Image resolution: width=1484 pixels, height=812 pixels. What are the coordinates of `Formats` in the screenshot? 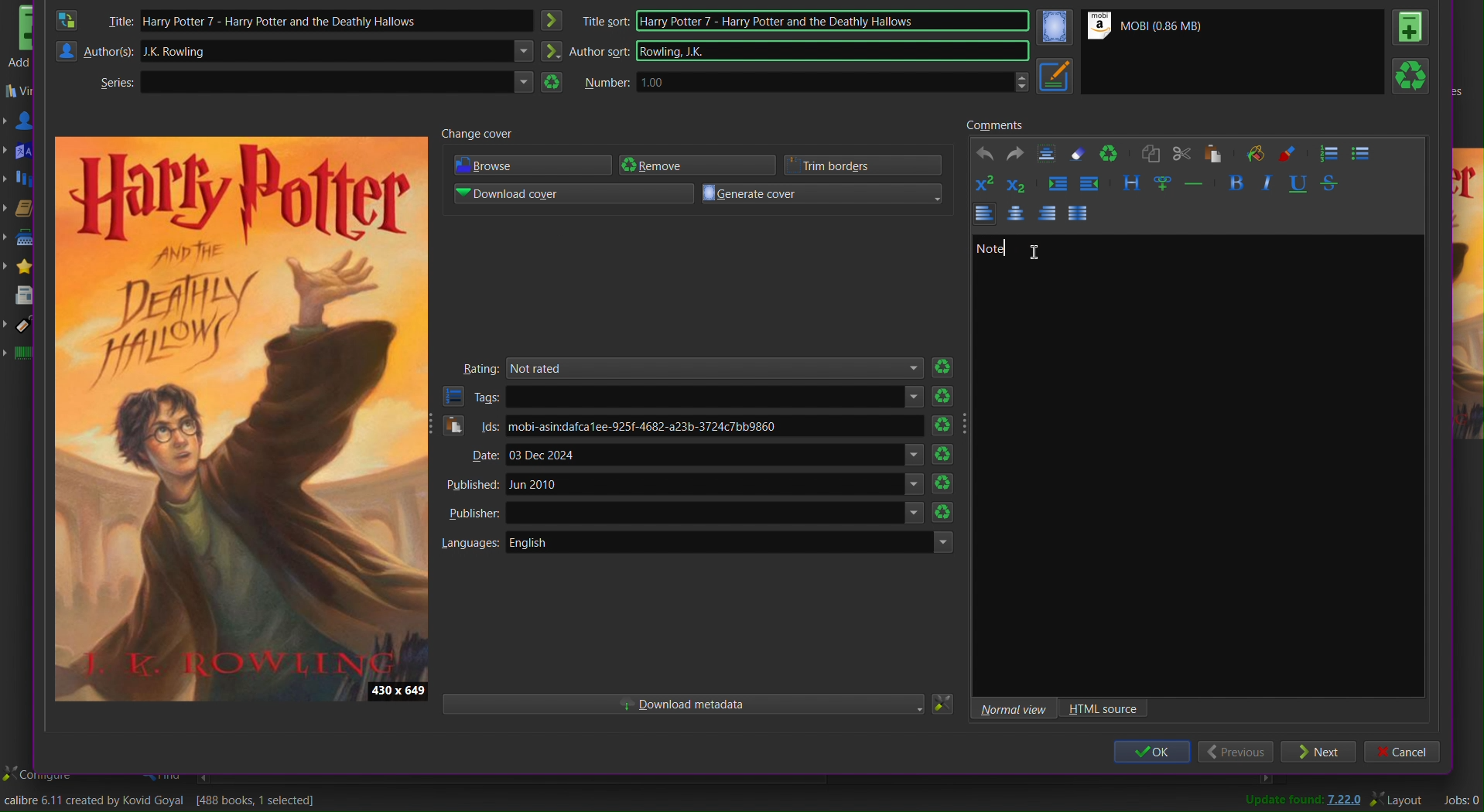 It's located at (26, 210).